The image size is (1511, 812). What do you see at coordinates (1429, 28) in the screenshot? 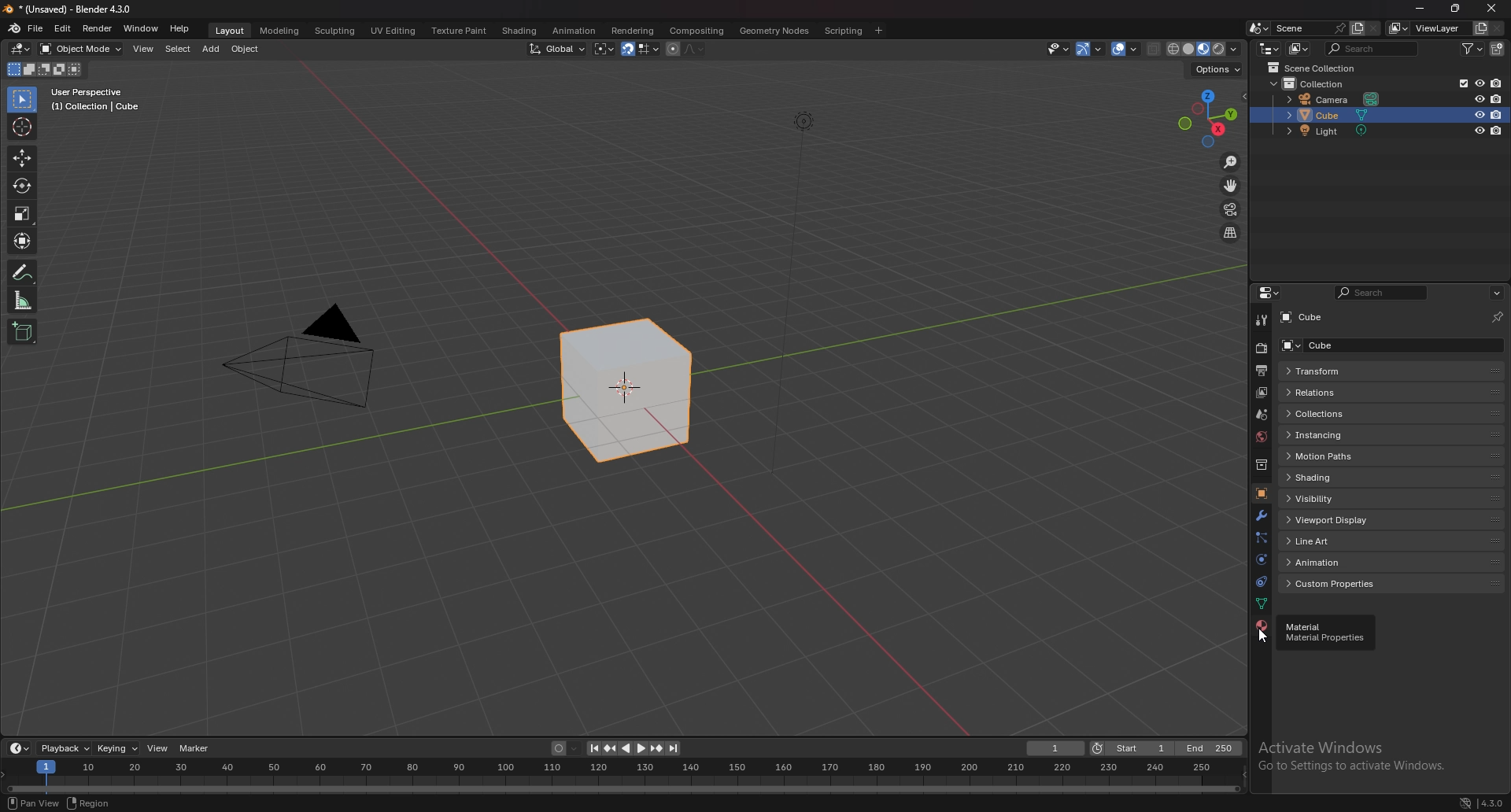
I see `view layer` at bounding box center [1429, 28].